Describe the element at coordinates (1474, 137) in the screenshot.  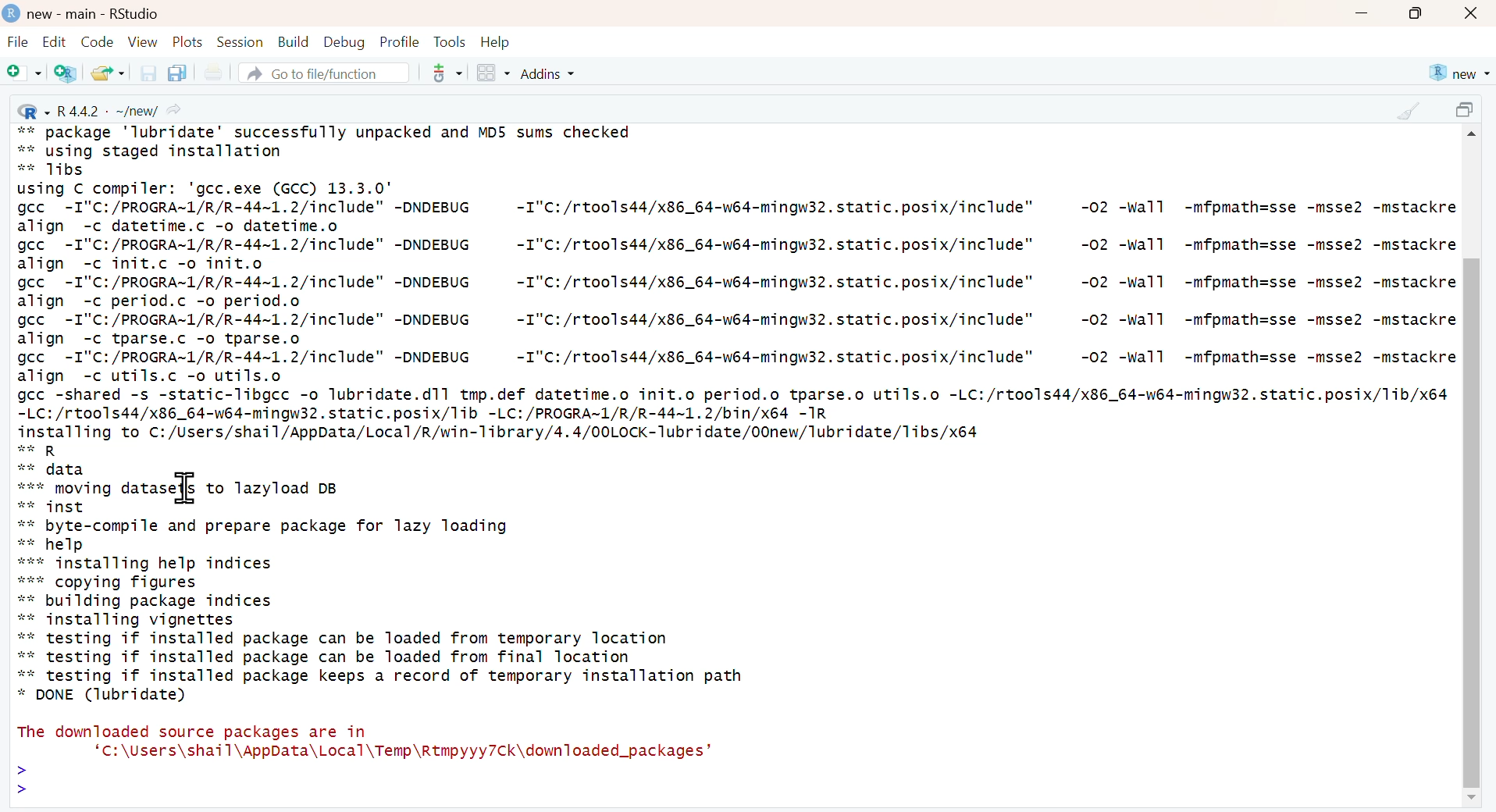
I see `scroll up` at that location.